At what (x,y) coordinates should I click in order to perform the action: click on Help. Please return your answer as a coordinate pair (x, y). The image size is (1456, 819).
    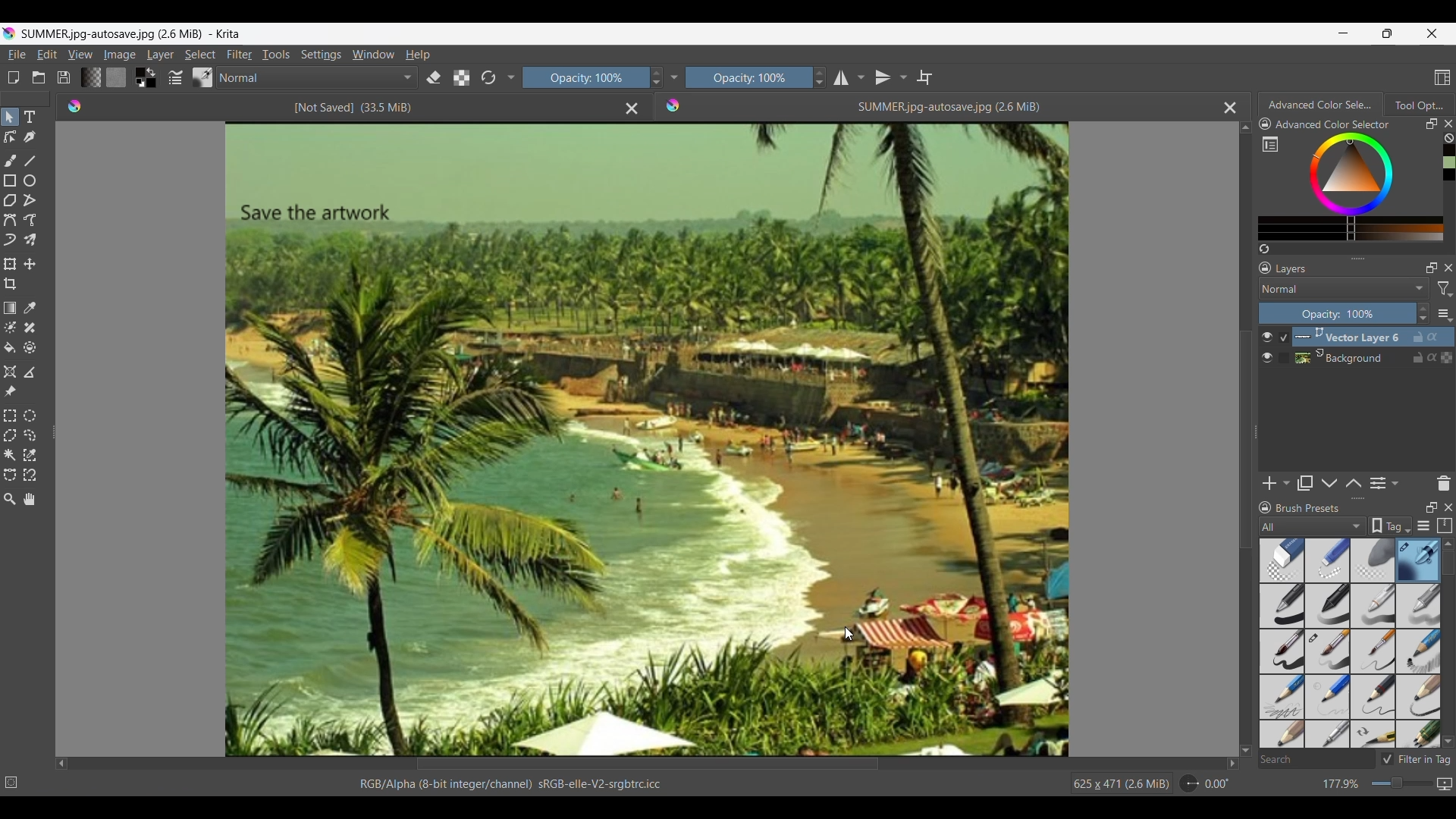
    Looking at the image, I should click on (417, 55).